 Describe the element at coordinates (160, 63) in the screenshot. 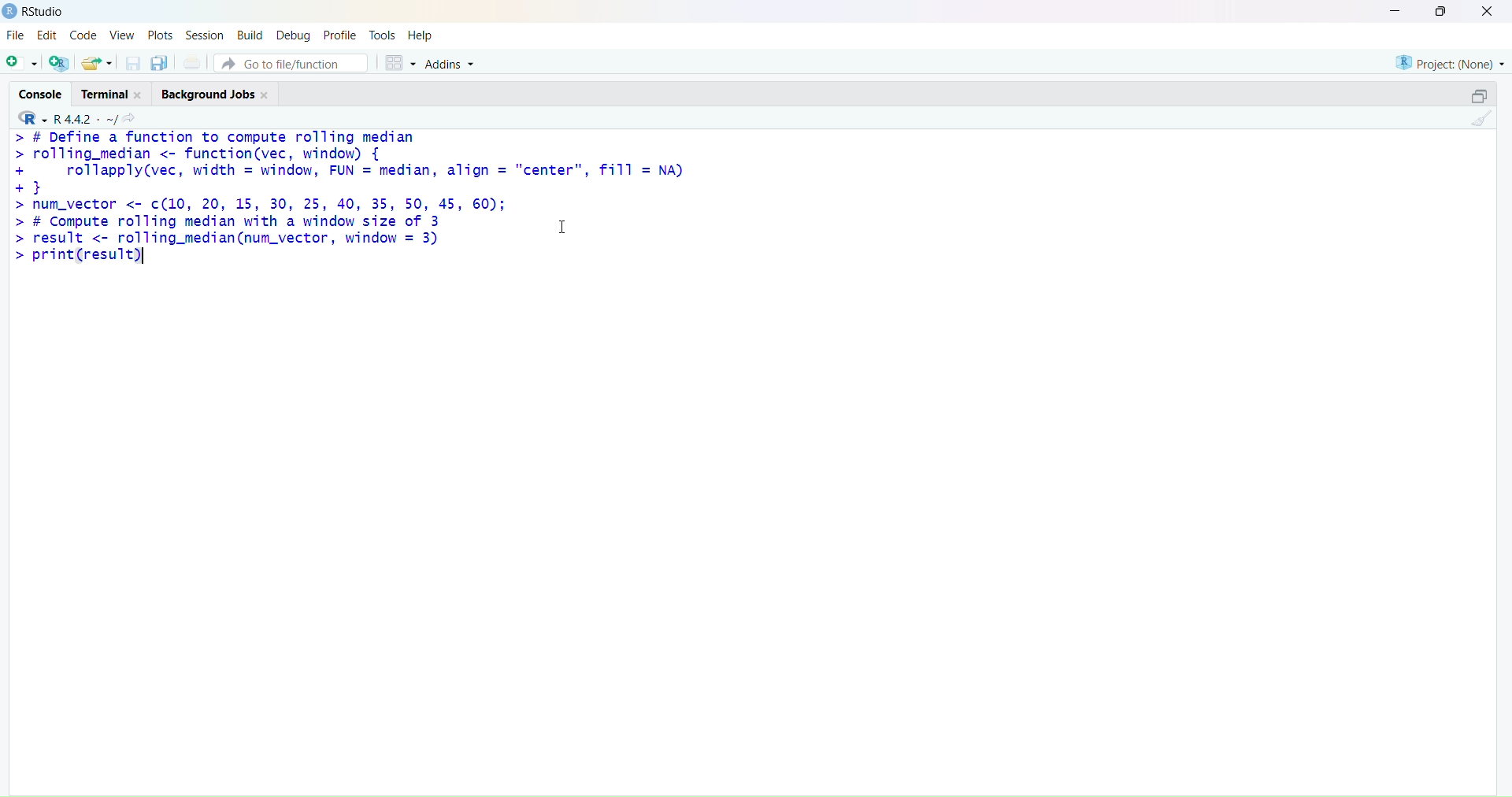

I see `copy` at that location.